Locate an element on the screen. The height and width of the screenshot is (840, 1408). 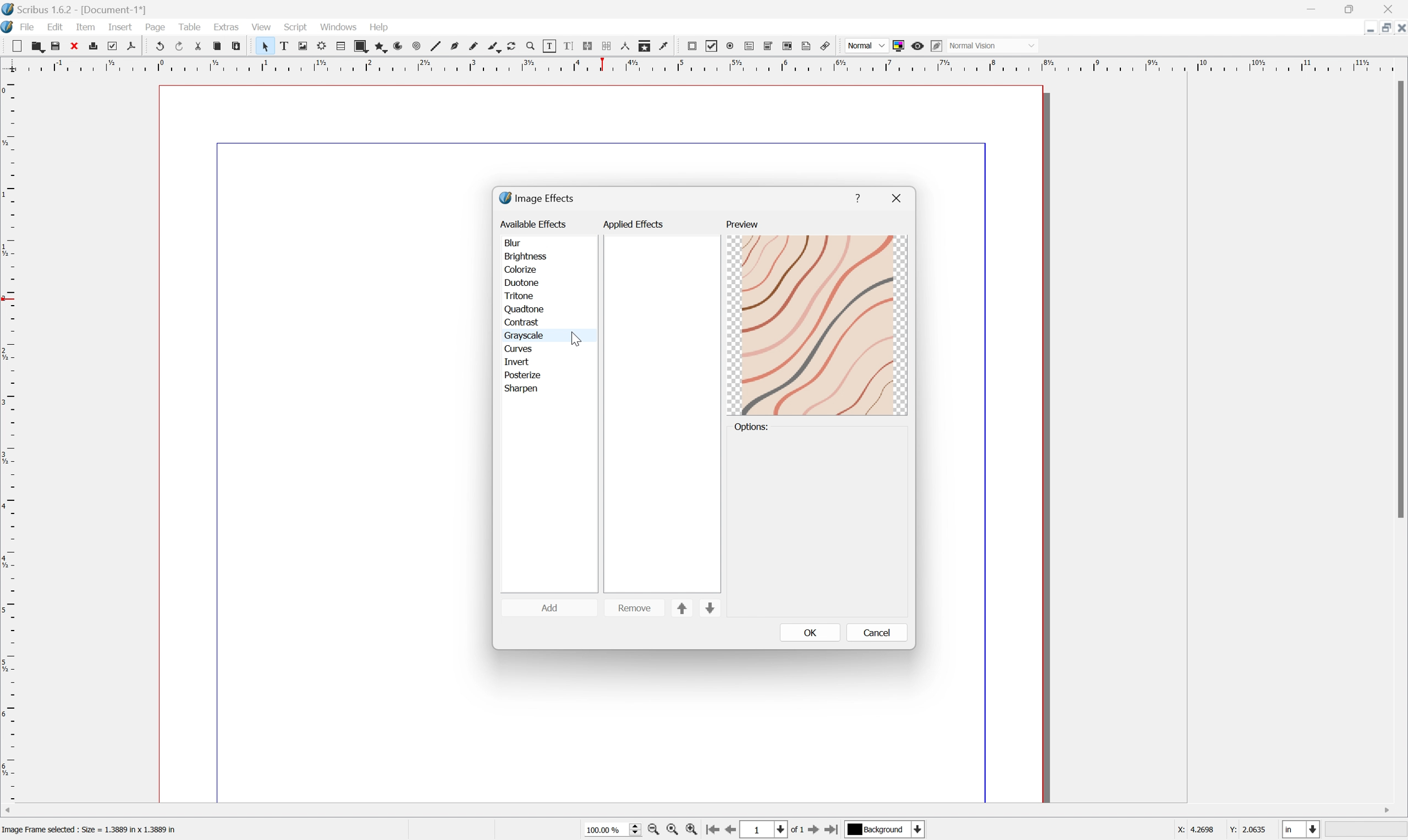
Bezier curve is located at coordinates (458, 47).